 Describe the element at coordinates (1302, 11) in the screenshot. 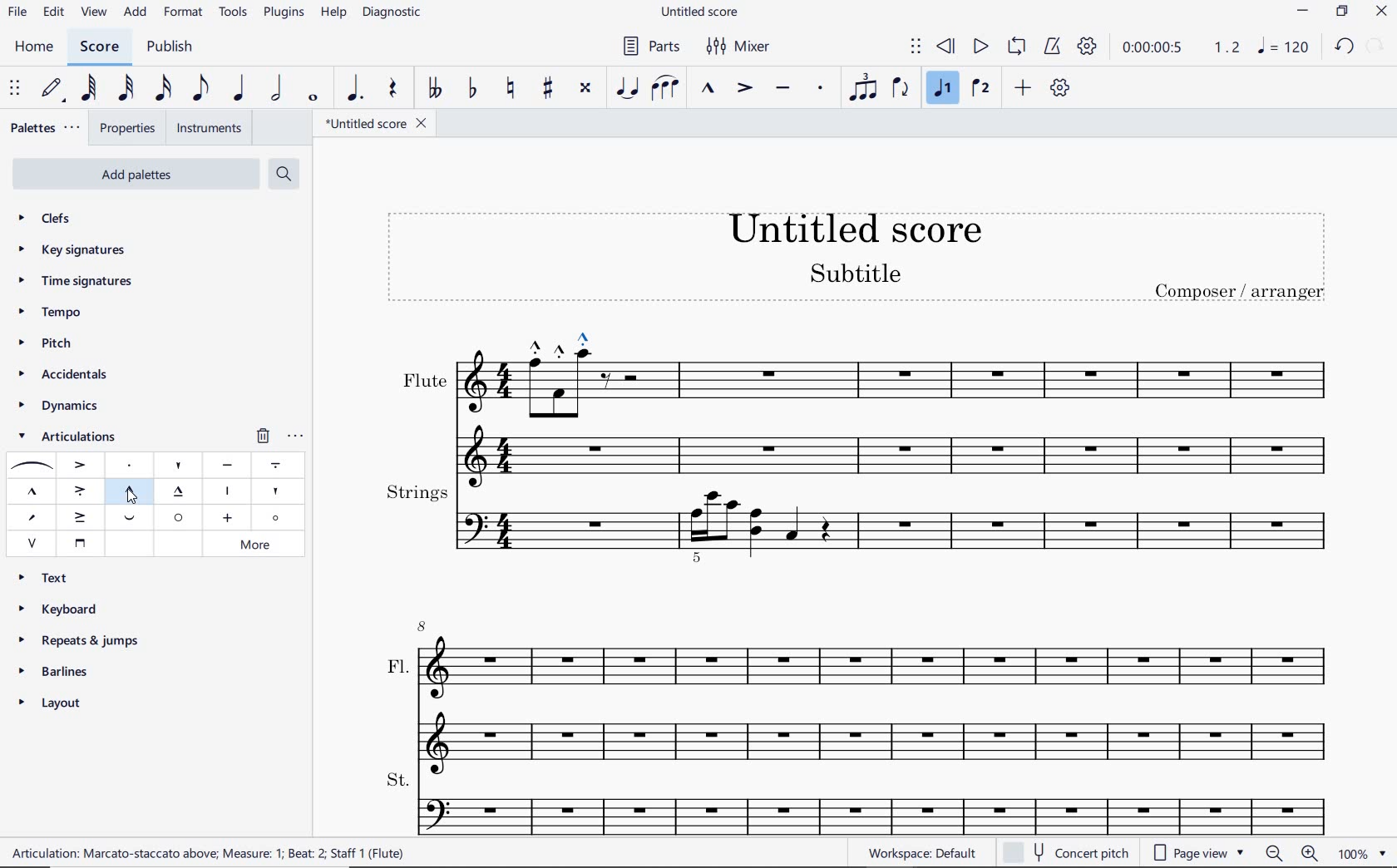

I see `minimize` at that location.